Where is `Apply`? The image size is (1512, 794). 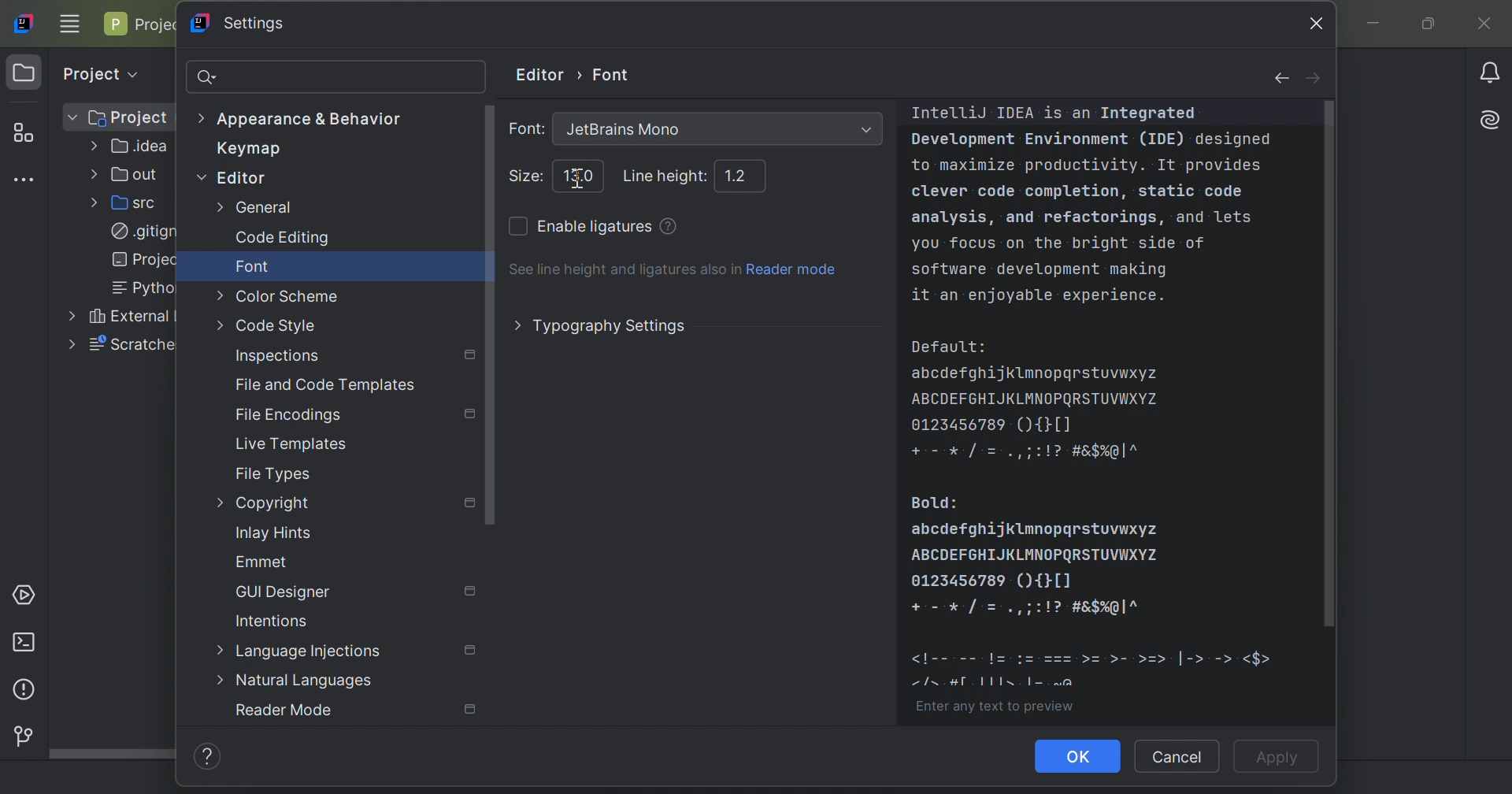 Apply is located at coordinates (1281, 759).